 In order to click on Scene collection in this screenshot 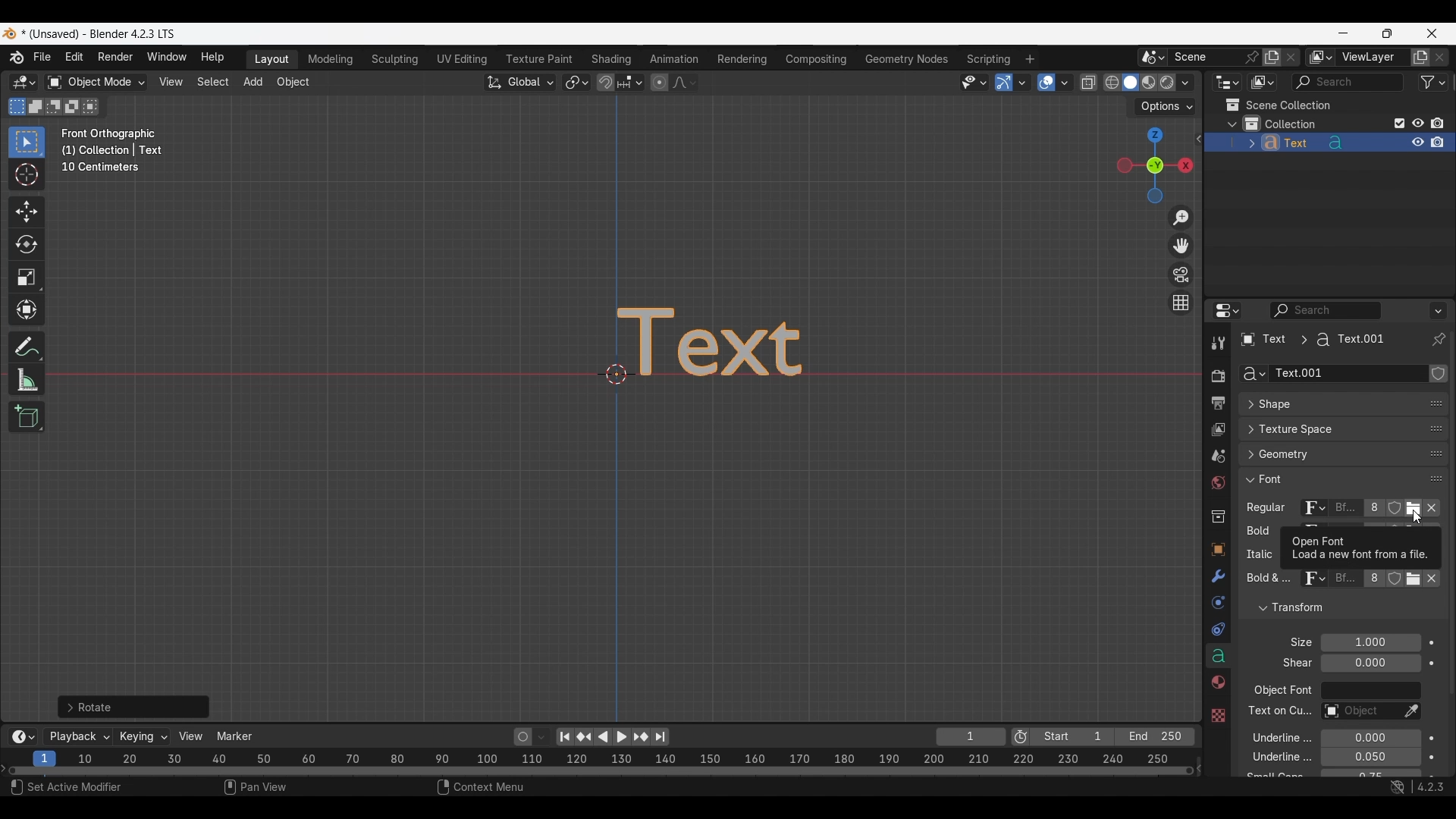, I will do `click(1278, 105)`.